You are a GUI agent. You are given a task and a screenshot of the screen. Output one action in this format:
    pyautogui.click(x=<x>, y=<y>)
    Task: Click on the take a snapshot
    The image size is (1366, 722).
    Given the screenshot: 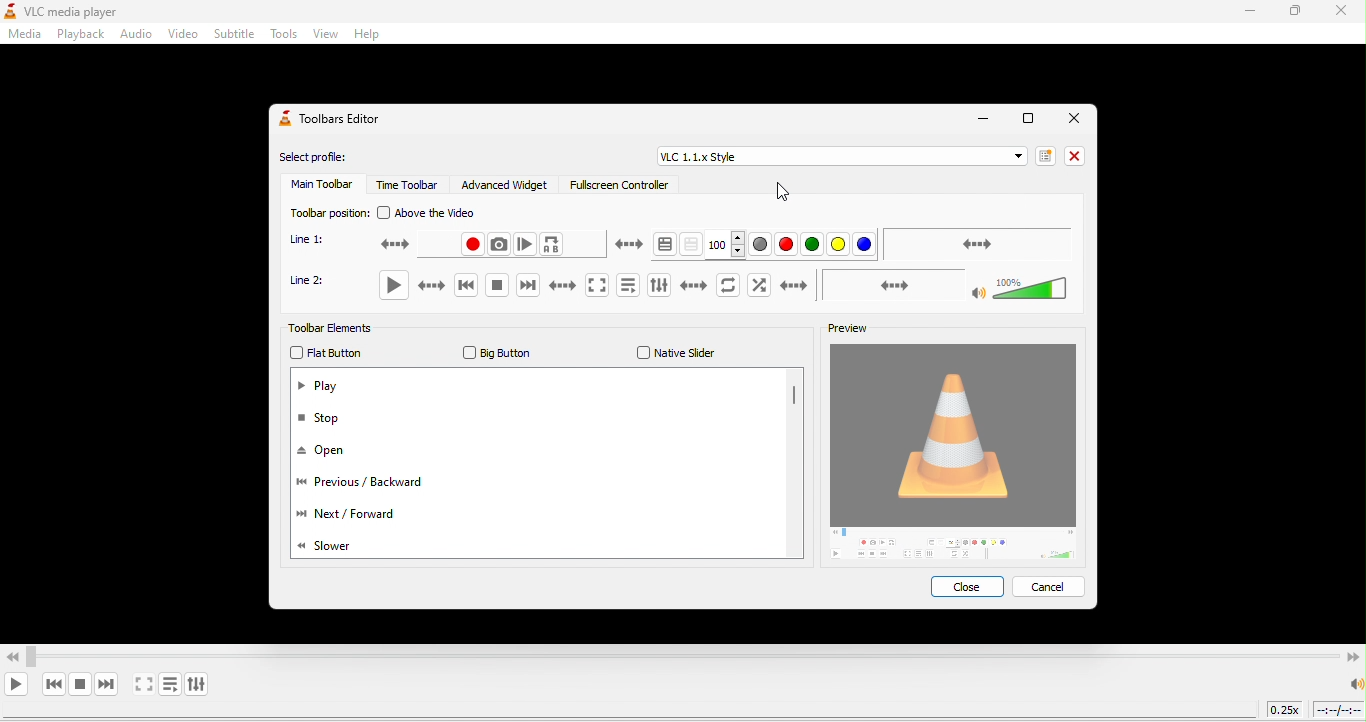 What is the action you would take?
    pyautogui.click(x=765, y=285)
    